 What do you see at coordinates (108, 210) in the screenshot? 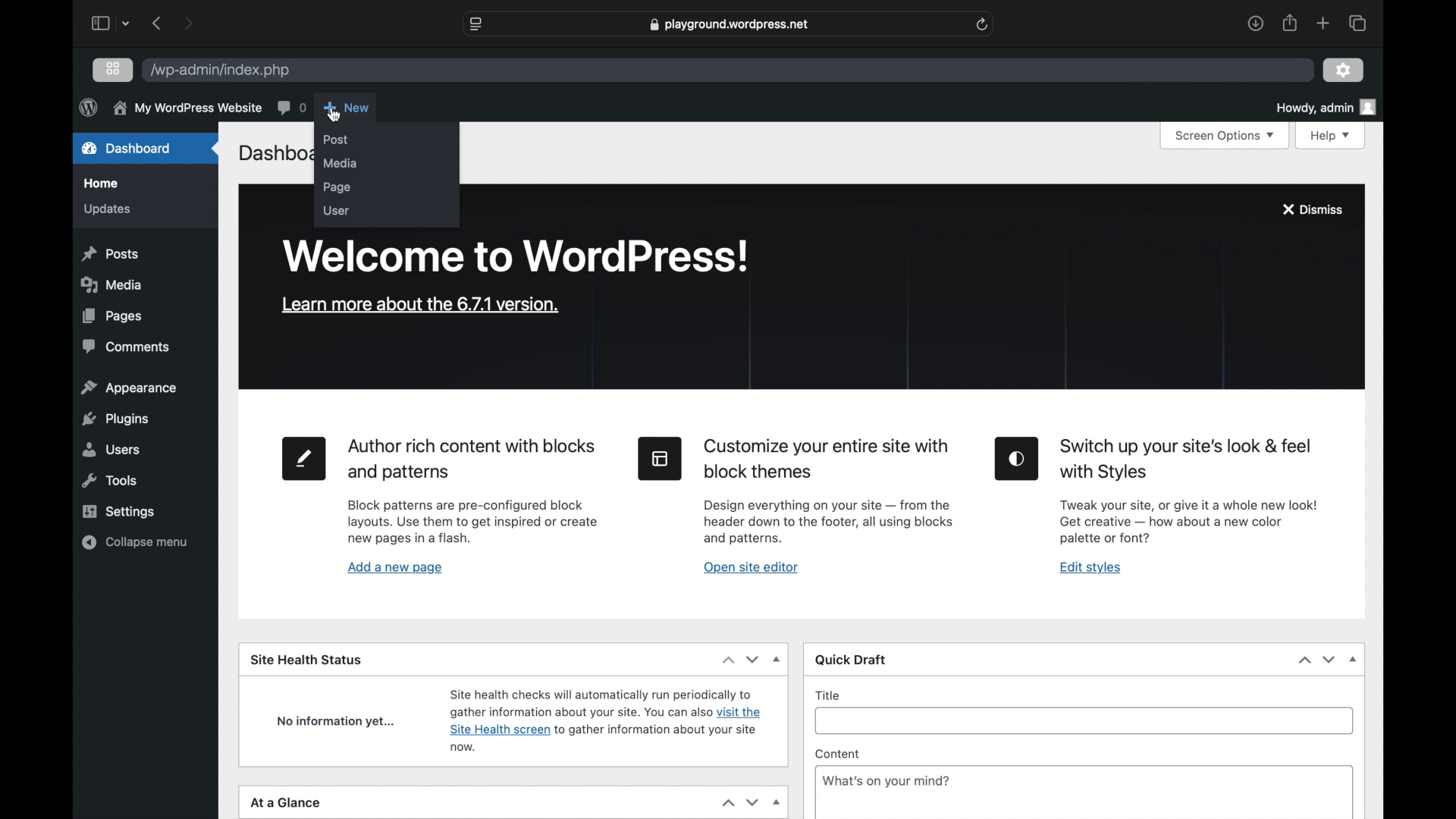
I see `updates` at bounding box center [108, 210].